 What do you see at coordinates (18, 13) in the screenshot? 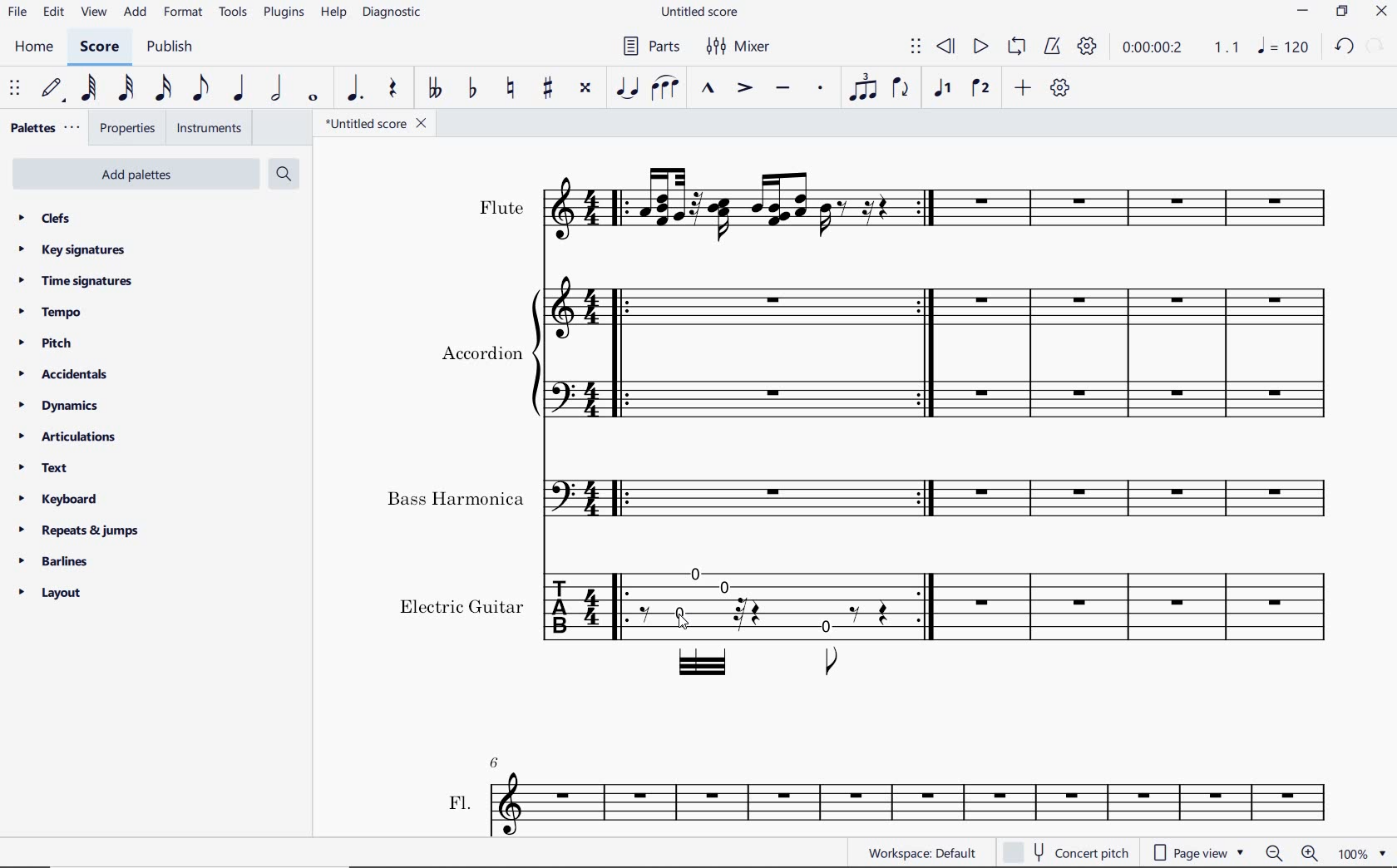
I see `file` at bounding box center [18, 13].